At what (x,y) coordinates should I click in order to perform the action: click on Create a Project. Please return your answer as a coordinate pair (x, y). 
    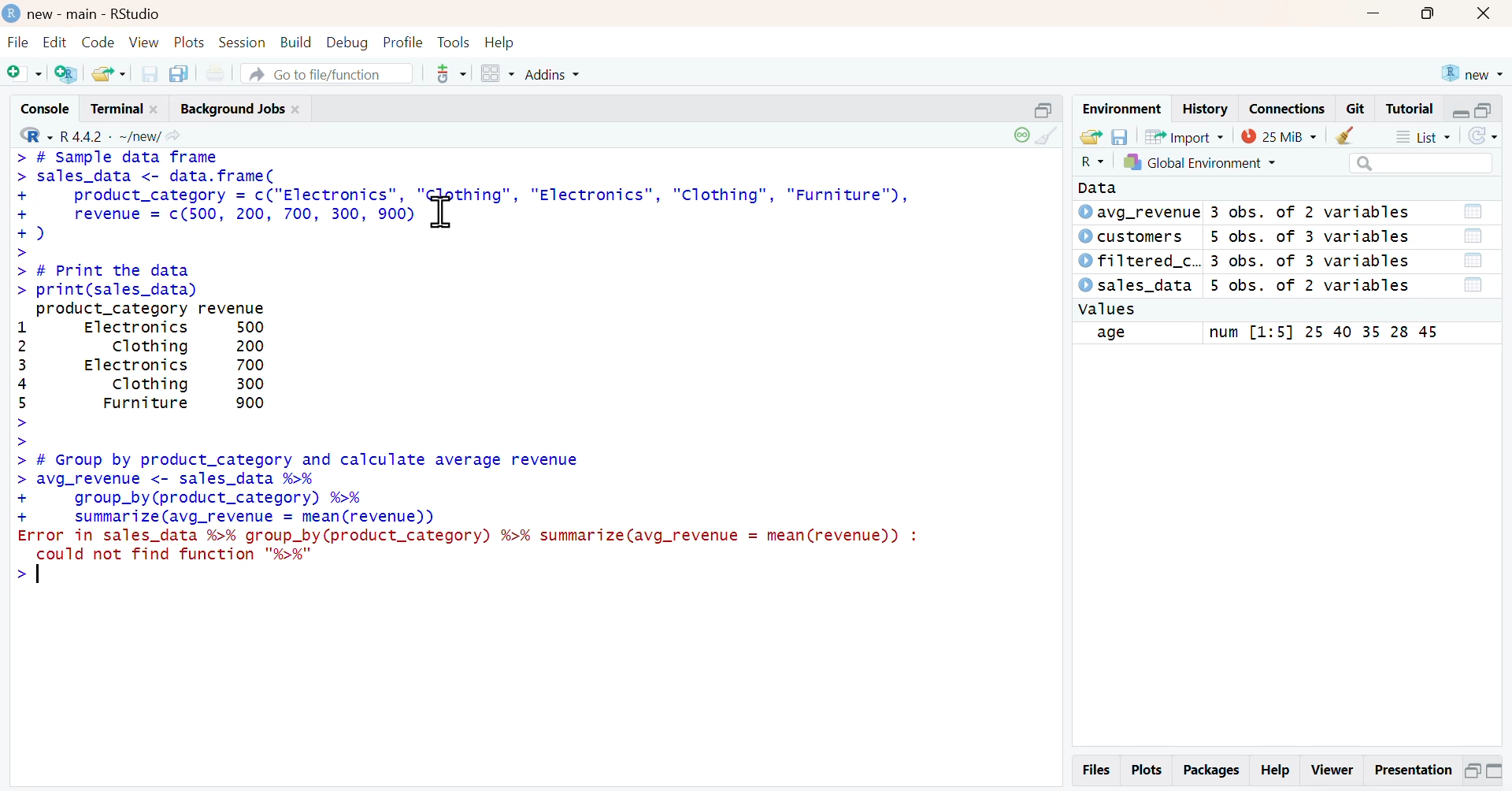
    Looking at the image, I should click on (65, 73).